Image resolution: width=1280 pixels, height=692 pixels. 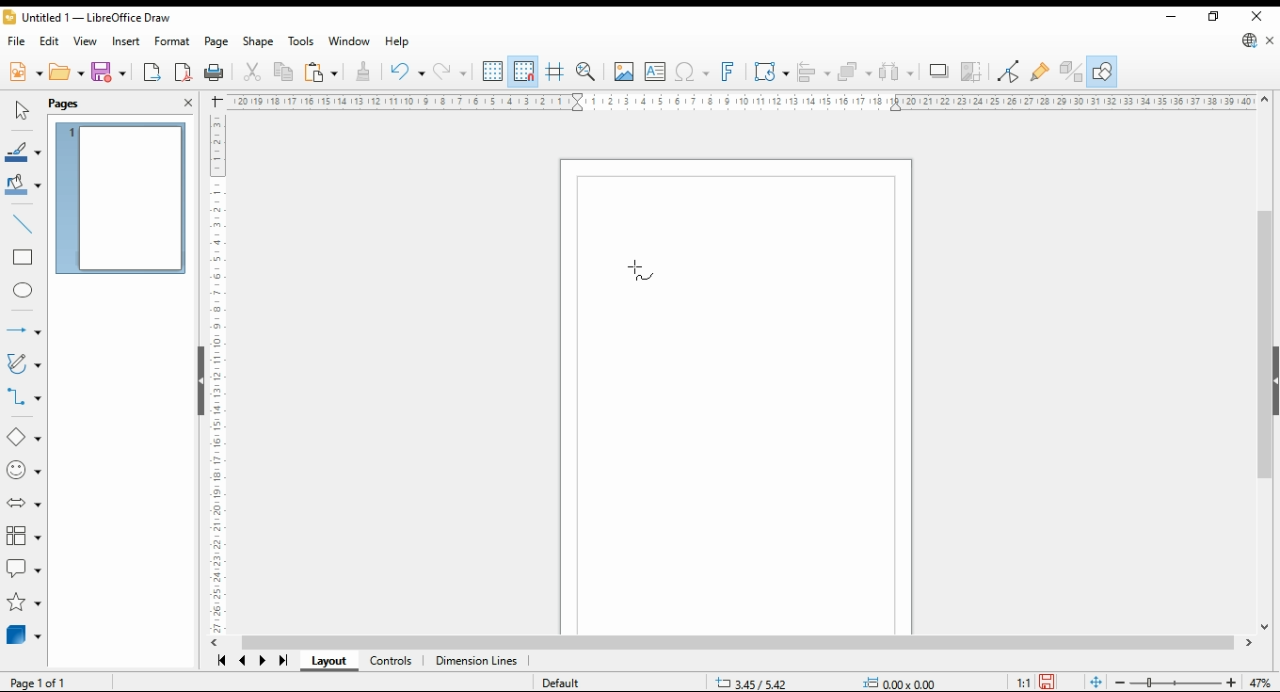 I want to click on minimize, so click(x=1170, y=15).